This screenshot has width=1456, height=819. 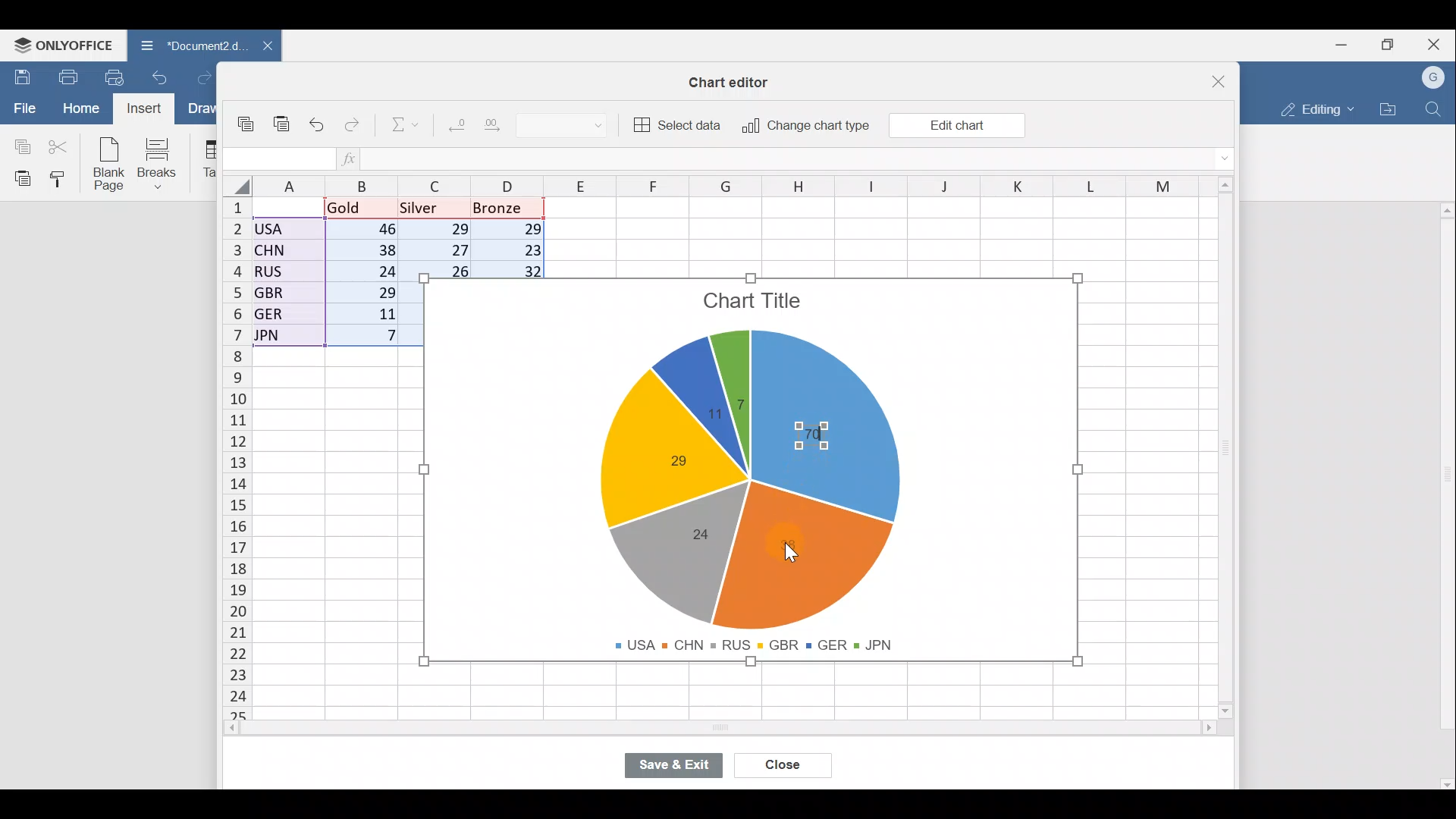 I want to click on Scroll bar, so click(x=742, y=729).